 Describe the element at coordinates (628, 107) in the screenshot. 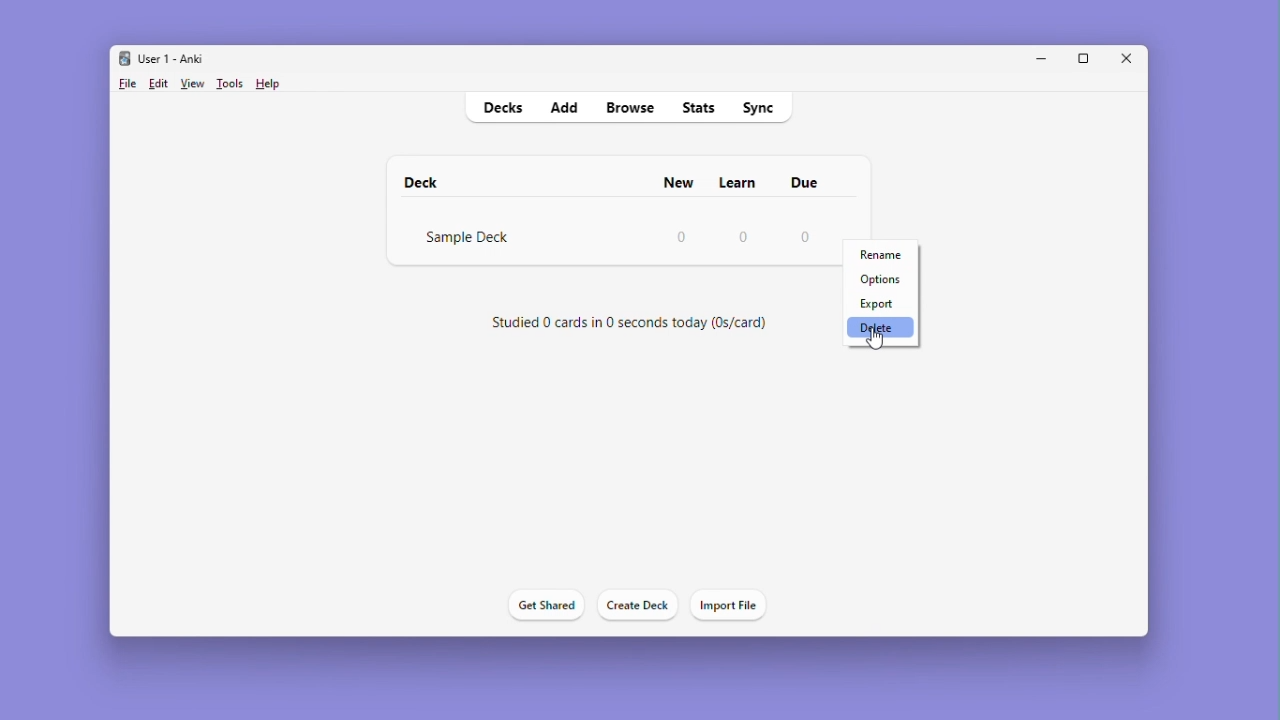

I see `Browse` at that location.